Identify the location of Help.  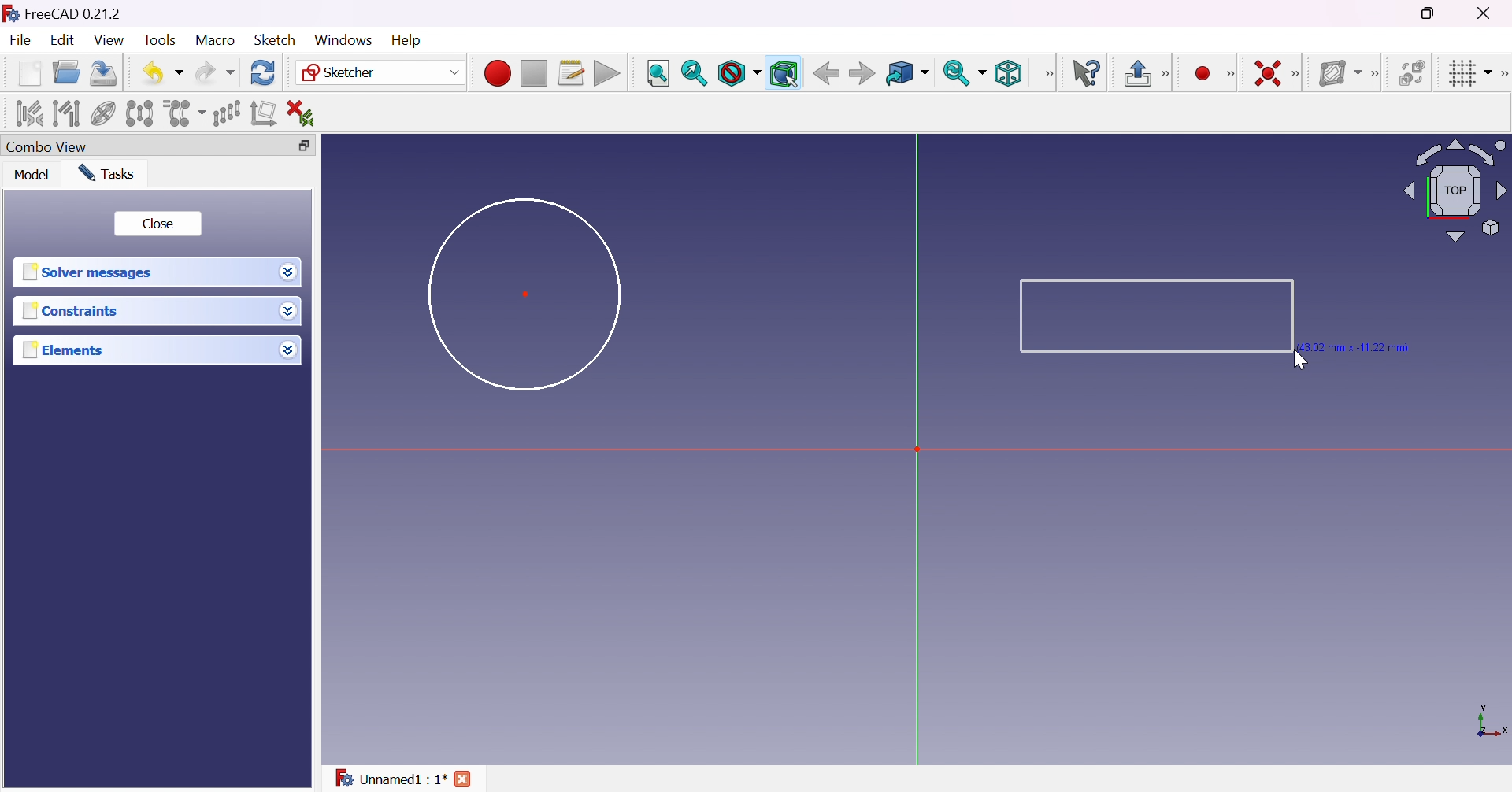
(408, 40).